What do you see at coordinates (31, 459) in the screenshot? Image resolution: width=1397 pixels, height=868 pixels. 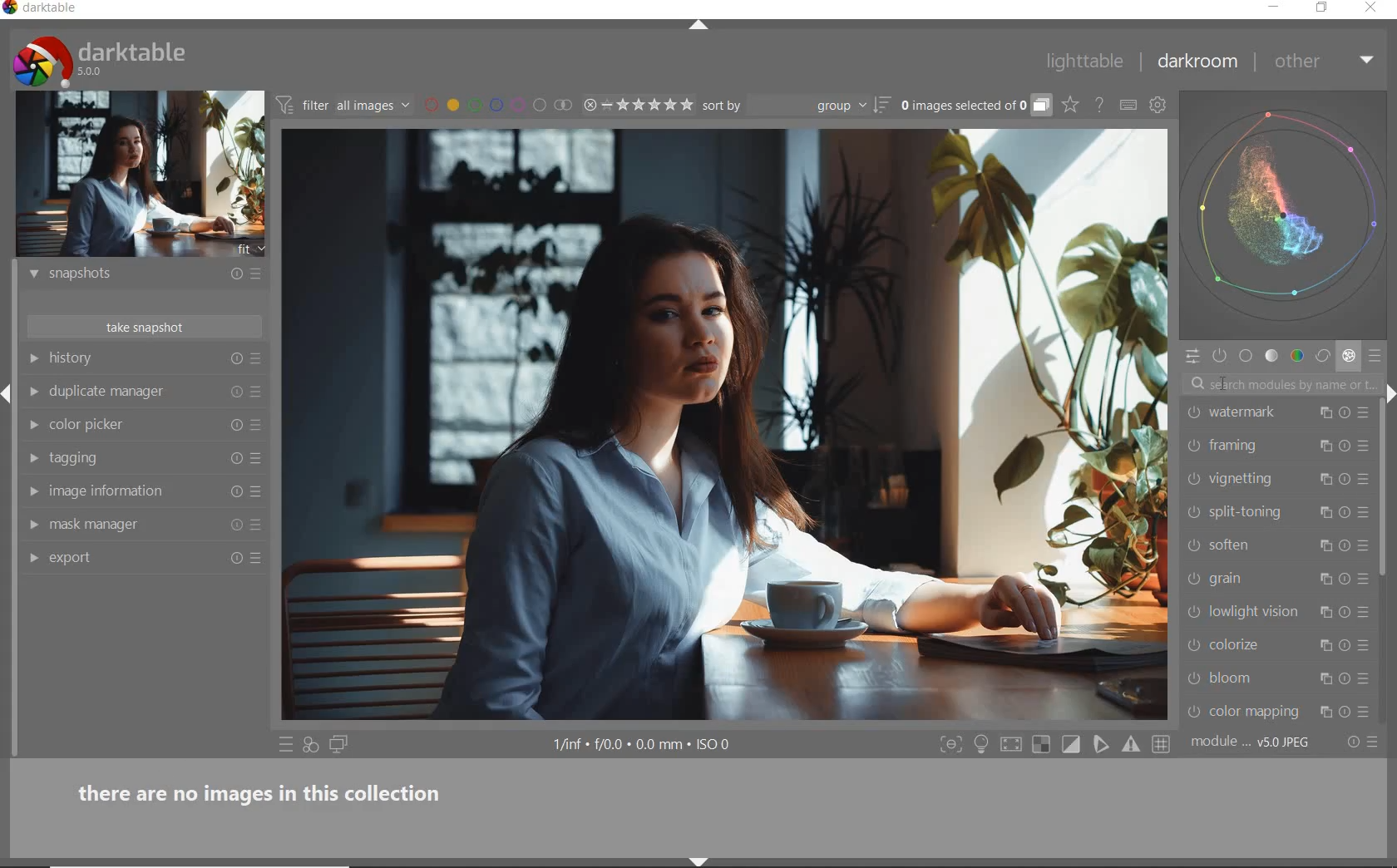 I see `show module` at bounding box center [31, 459].